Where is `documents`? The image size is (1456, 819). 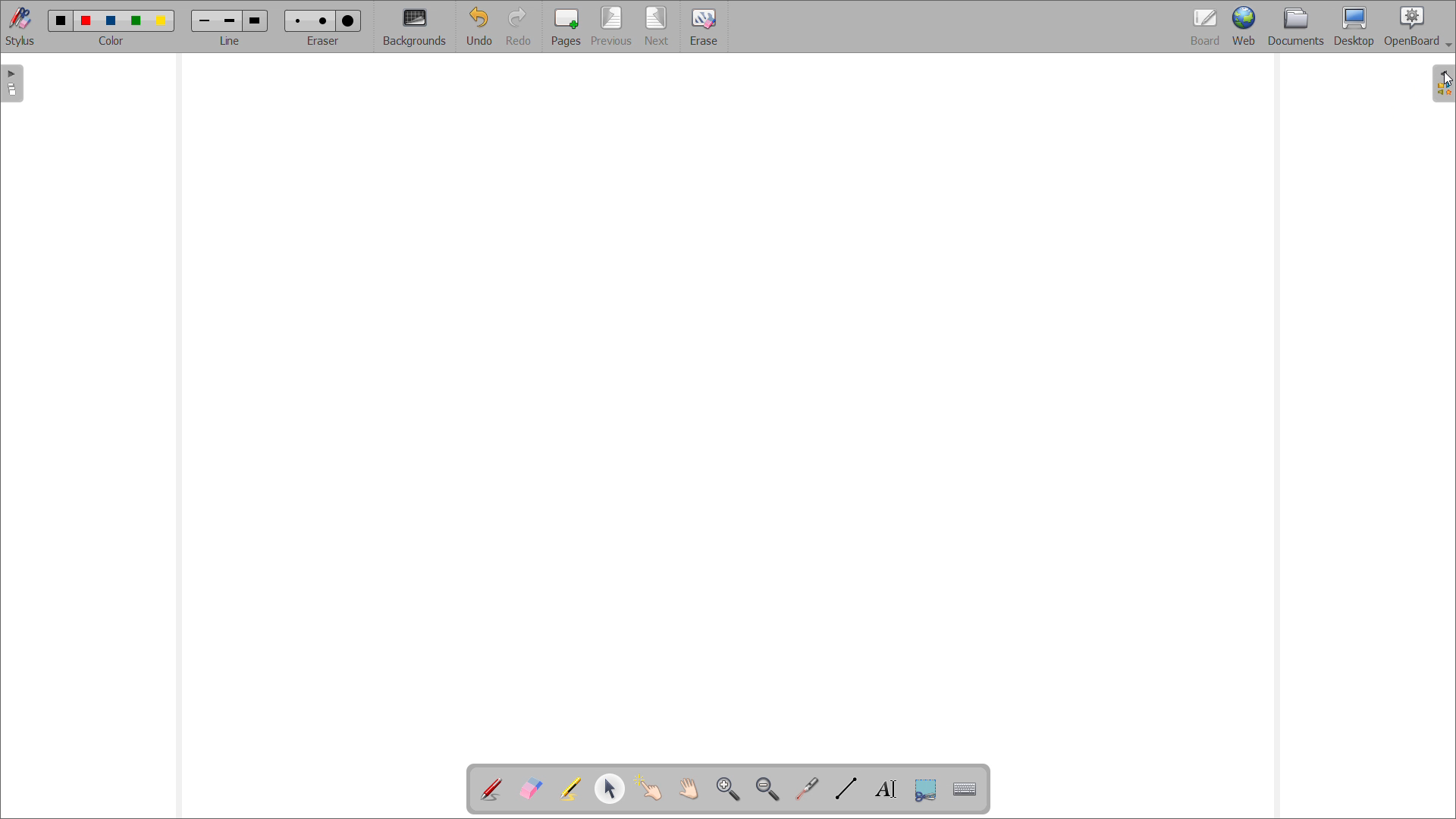 documents is located at coordinates (1297, 27).